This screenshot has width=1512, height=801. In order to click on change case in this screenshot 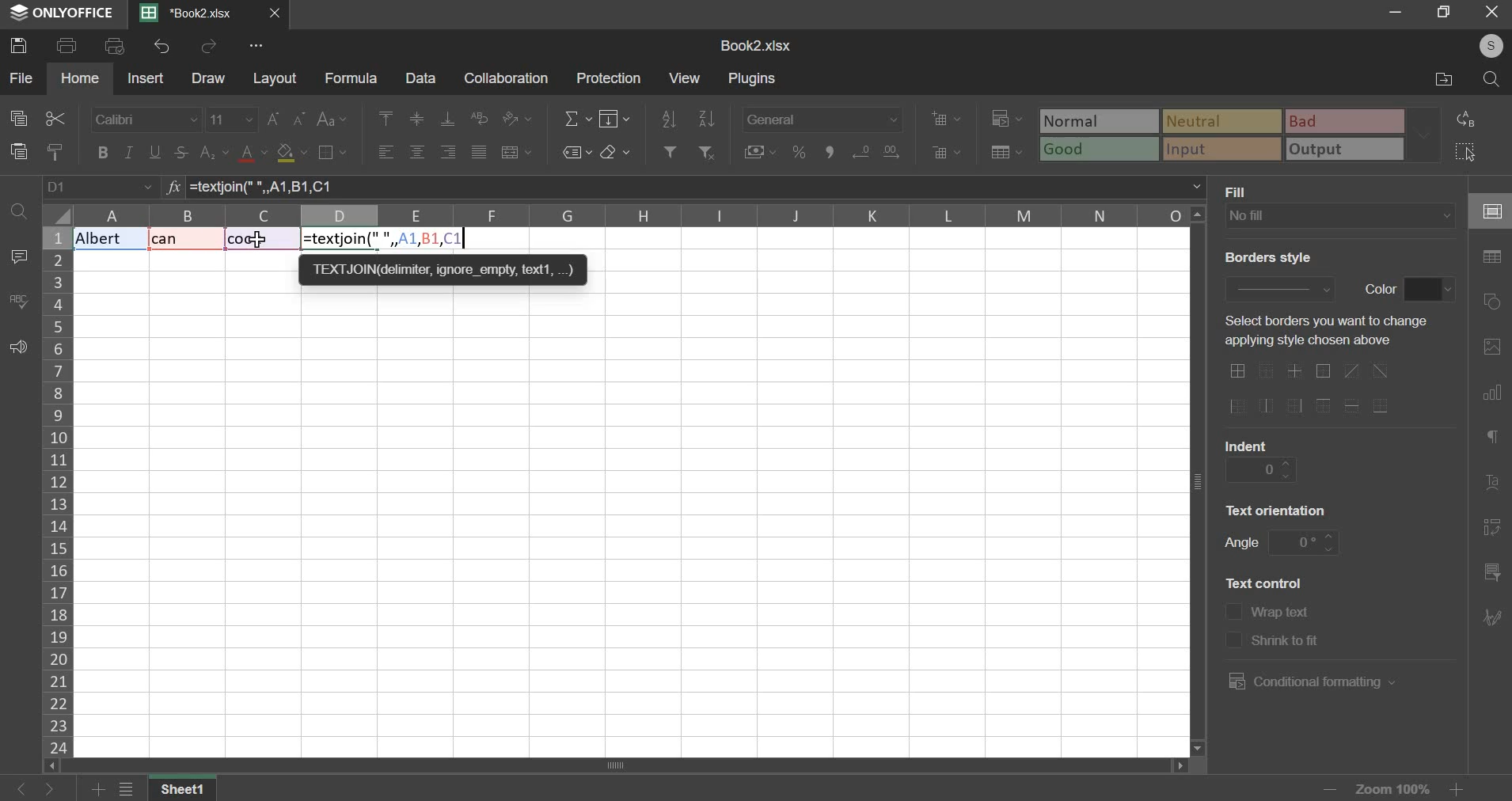, I will do `click(331, 120)`.